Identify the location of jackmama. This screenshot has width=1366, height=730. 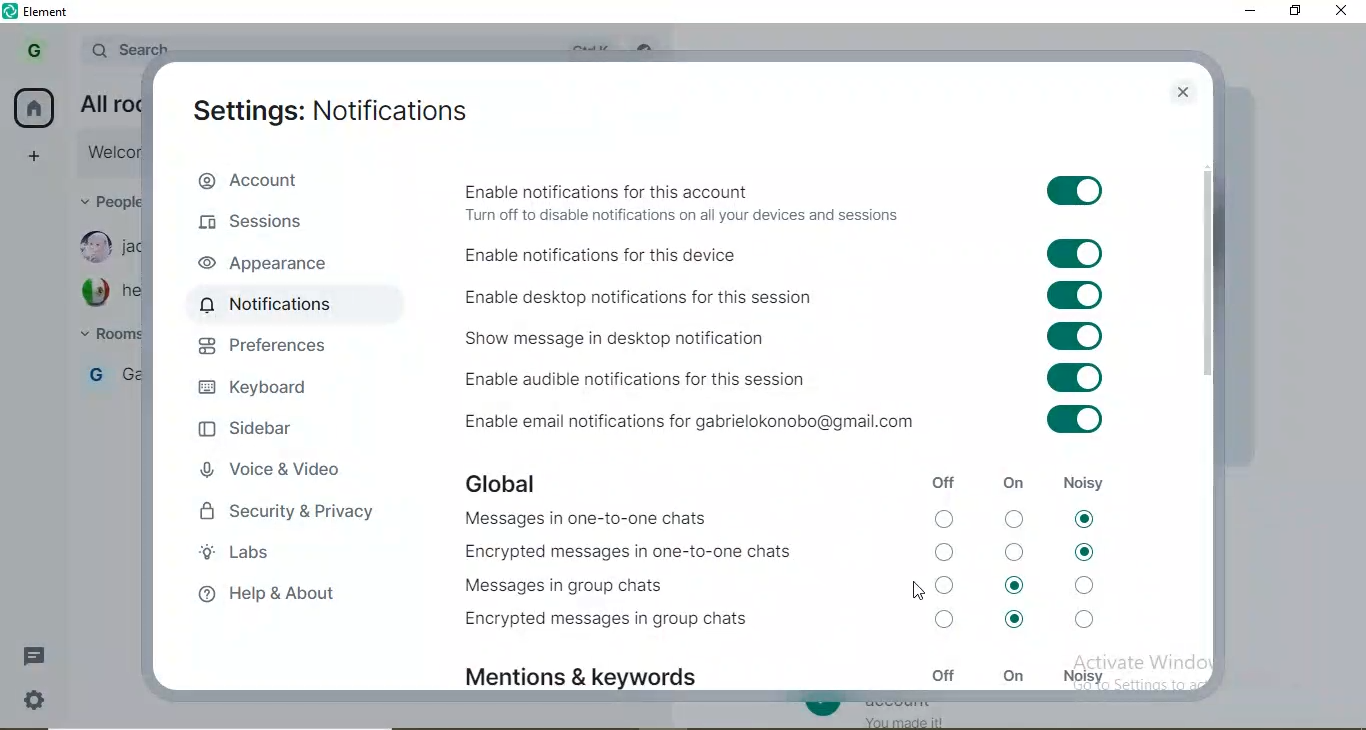
(132, 248).